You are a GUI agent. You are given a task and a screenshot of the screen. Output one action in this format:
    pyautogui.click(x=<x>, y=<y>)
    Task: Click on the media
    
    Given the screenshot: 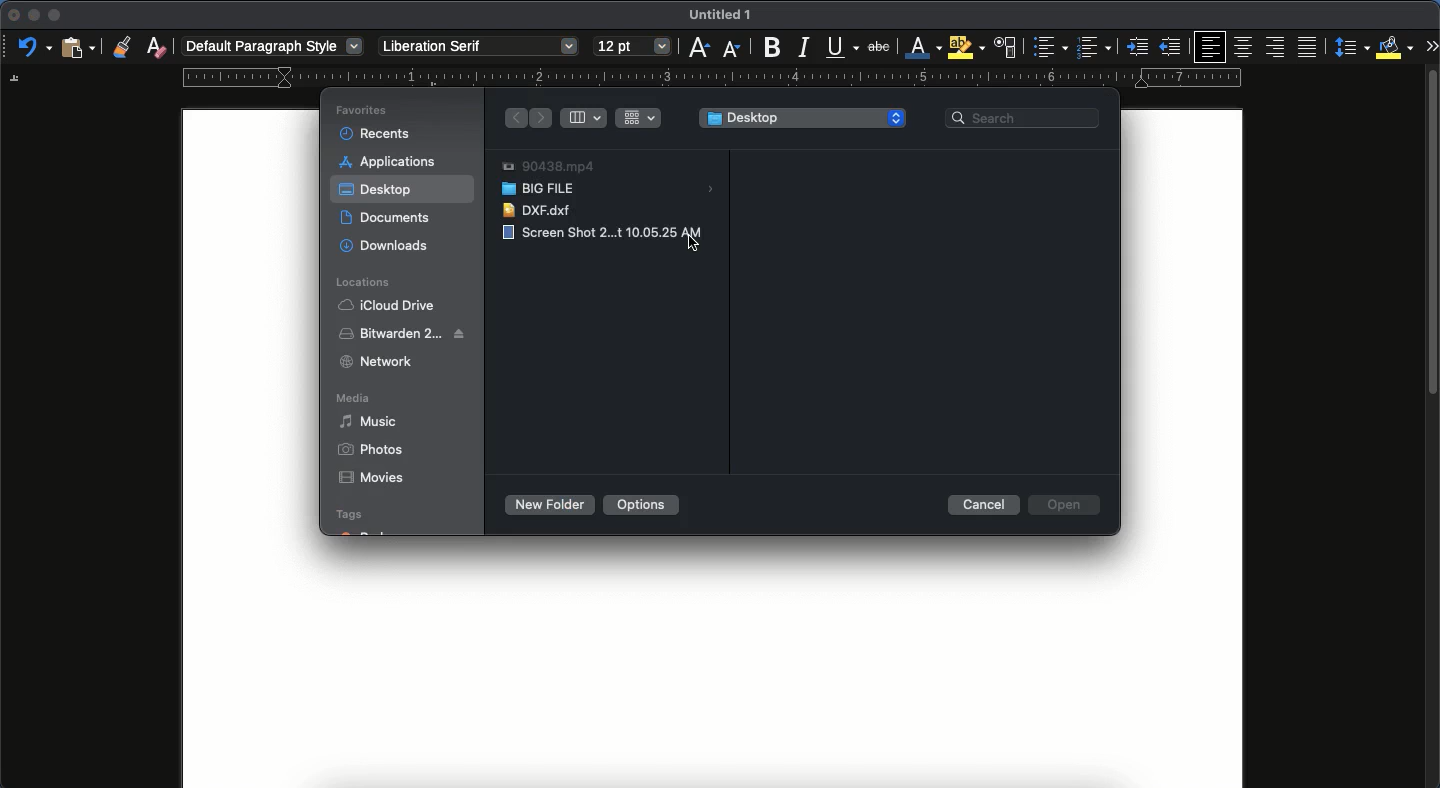 What is the action you would take?
    pyautogui.click(x=357, y=400)
    